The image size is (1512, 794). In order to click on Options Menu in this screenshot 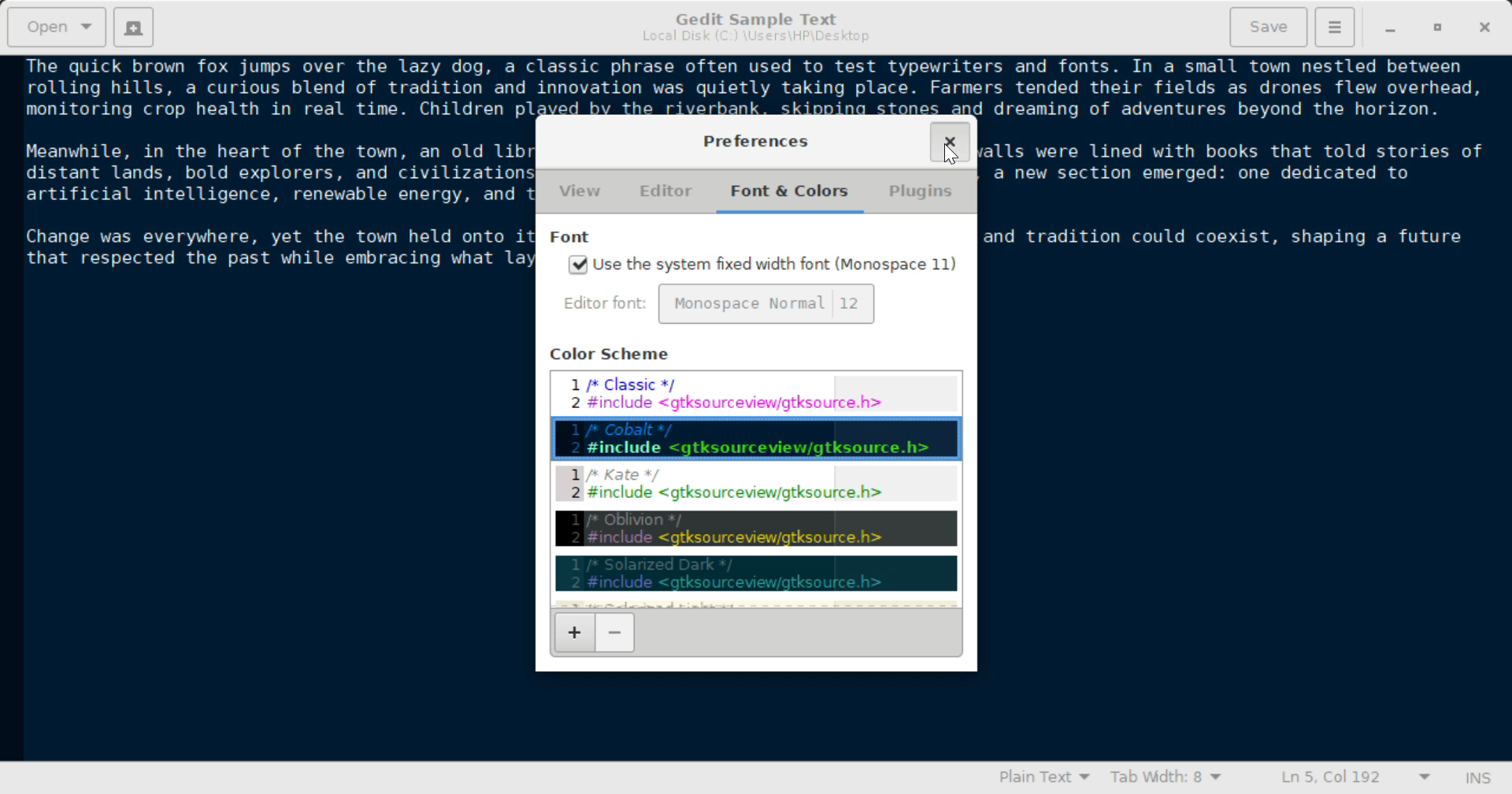, I will do `click(1333, 26)`.